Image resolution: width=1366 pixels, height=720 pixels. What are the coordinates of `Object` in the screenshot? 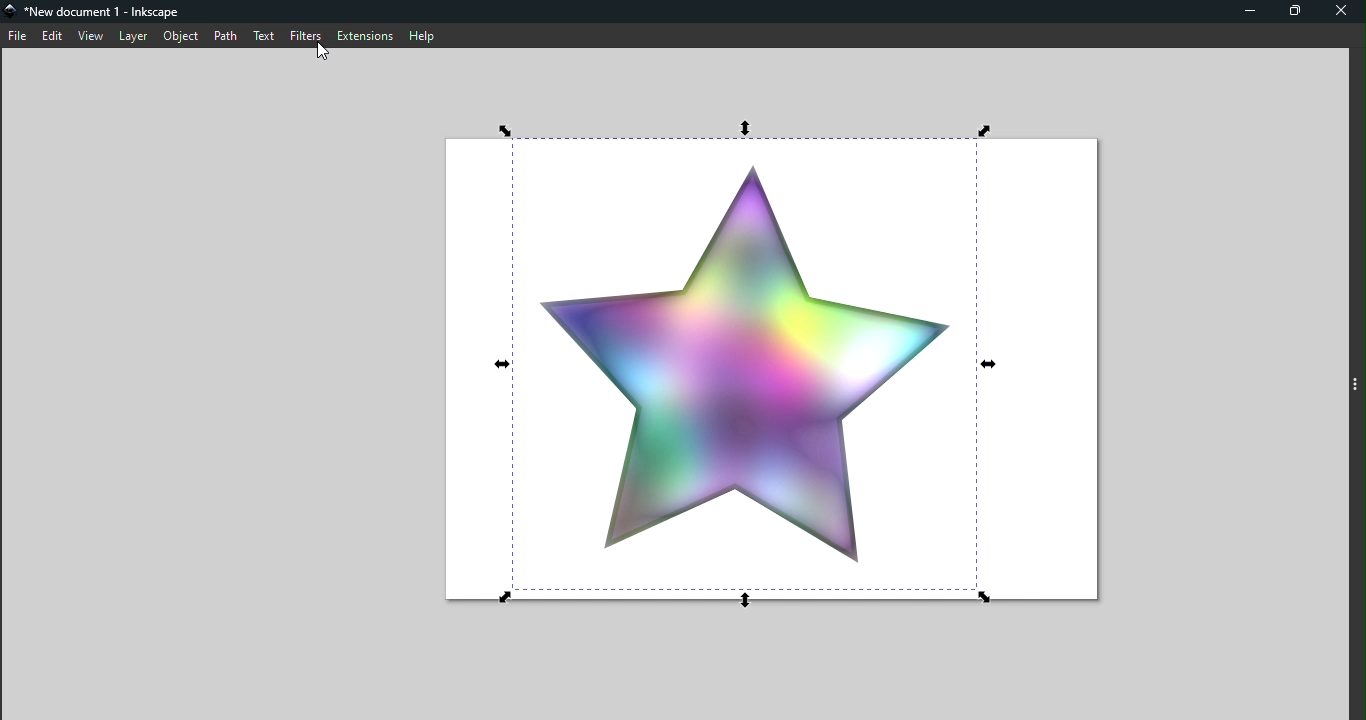 It's located at (182, 36).